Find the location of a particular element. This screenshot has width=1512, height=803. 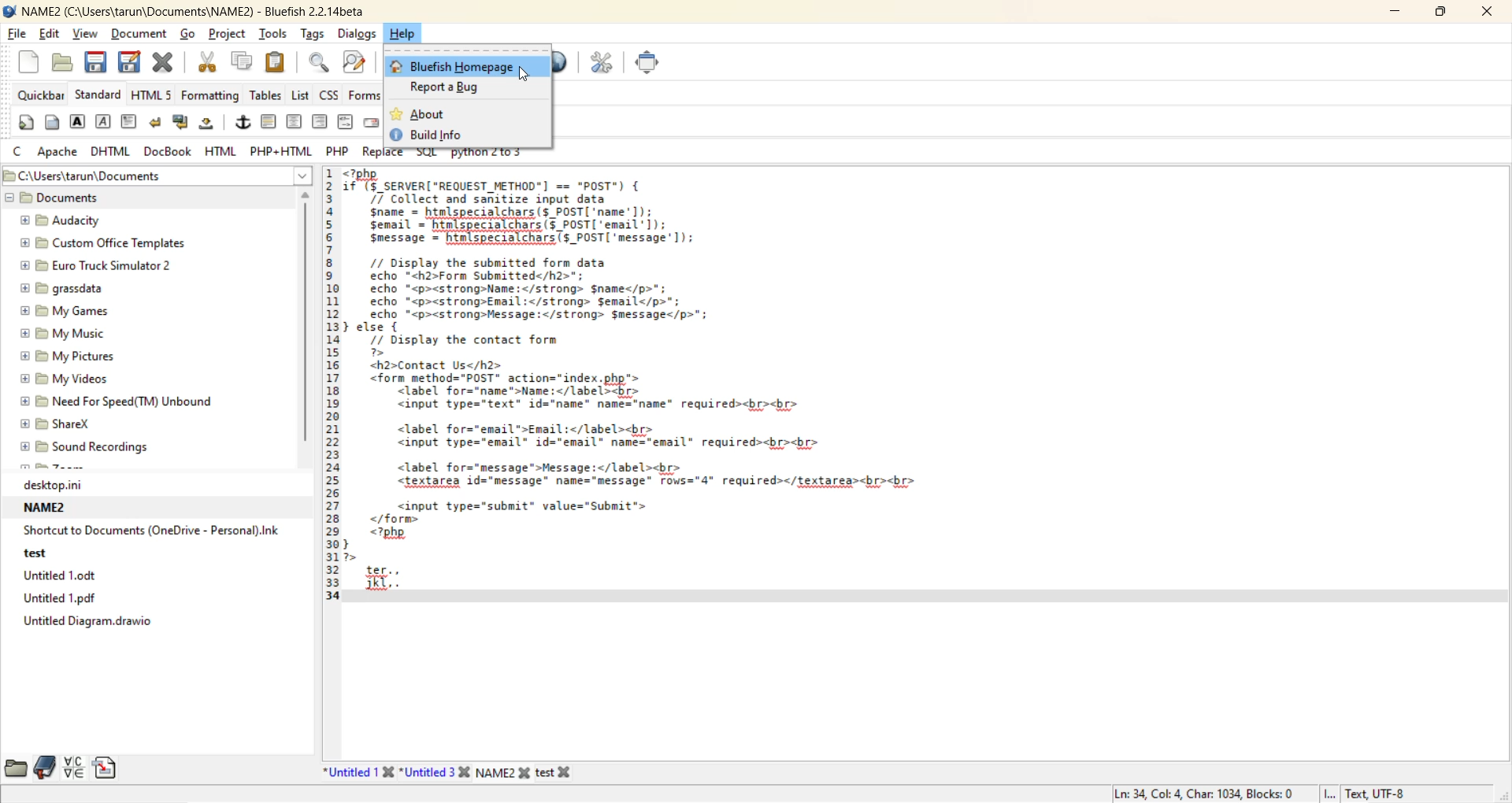

Custom Office Templates is located at coordinates (95, 245).